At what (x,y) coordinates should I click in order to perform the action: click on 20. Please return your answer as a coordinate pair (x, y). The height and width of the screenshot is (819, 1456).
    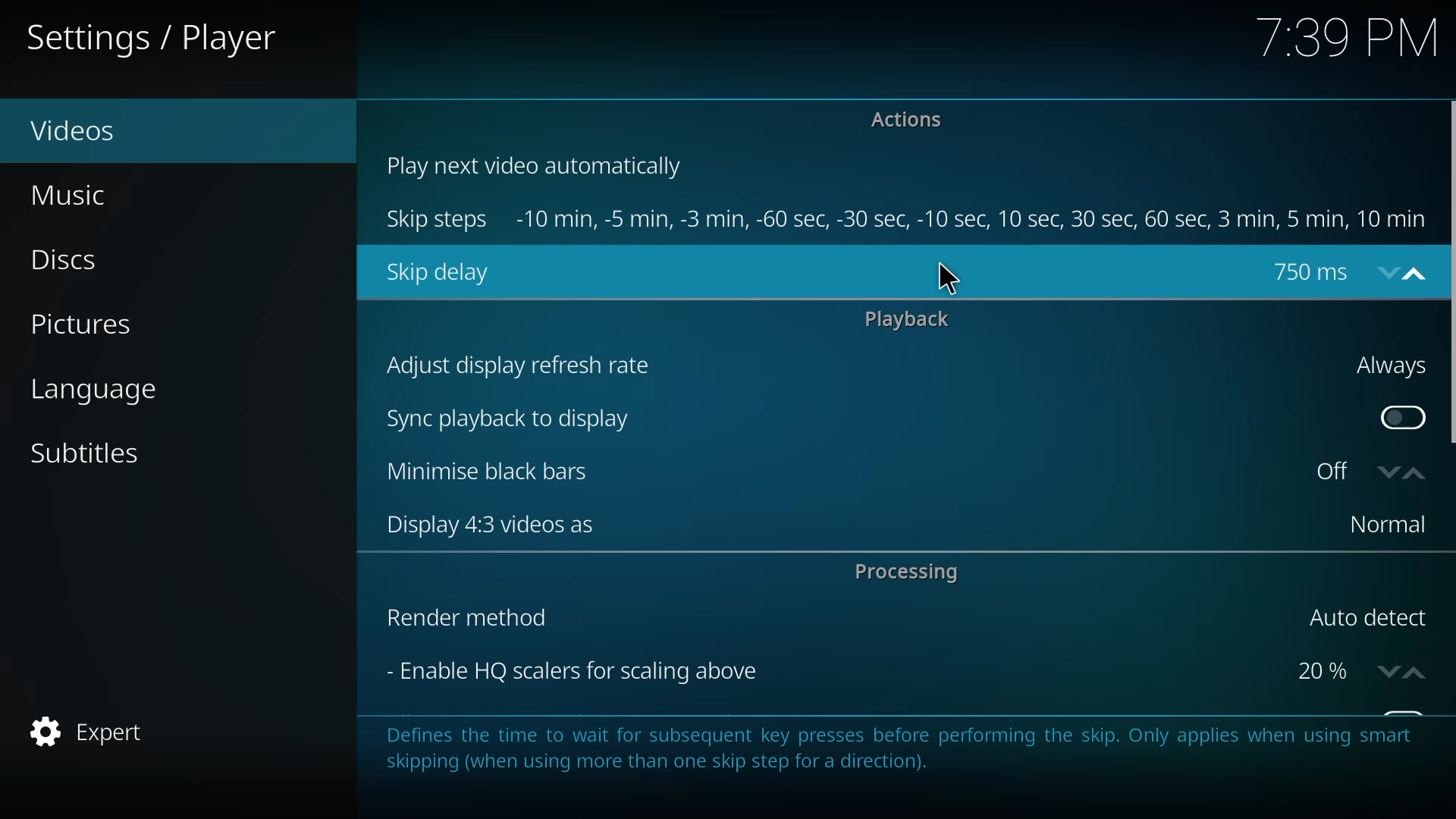
    Looking at the image, I should click on (1356, 670).